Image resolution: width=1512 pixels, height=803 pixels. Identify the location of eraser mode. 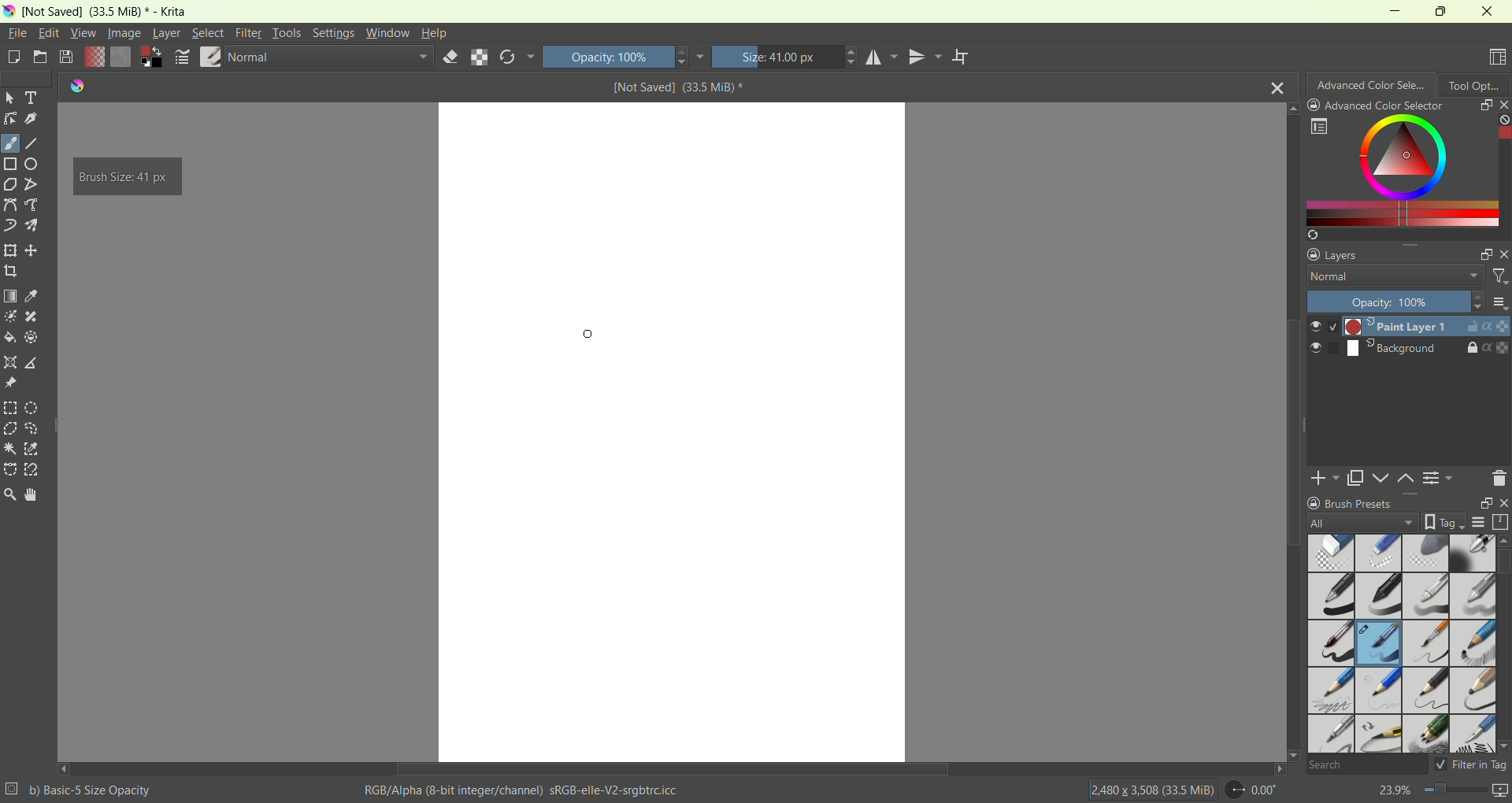
(447, 58).